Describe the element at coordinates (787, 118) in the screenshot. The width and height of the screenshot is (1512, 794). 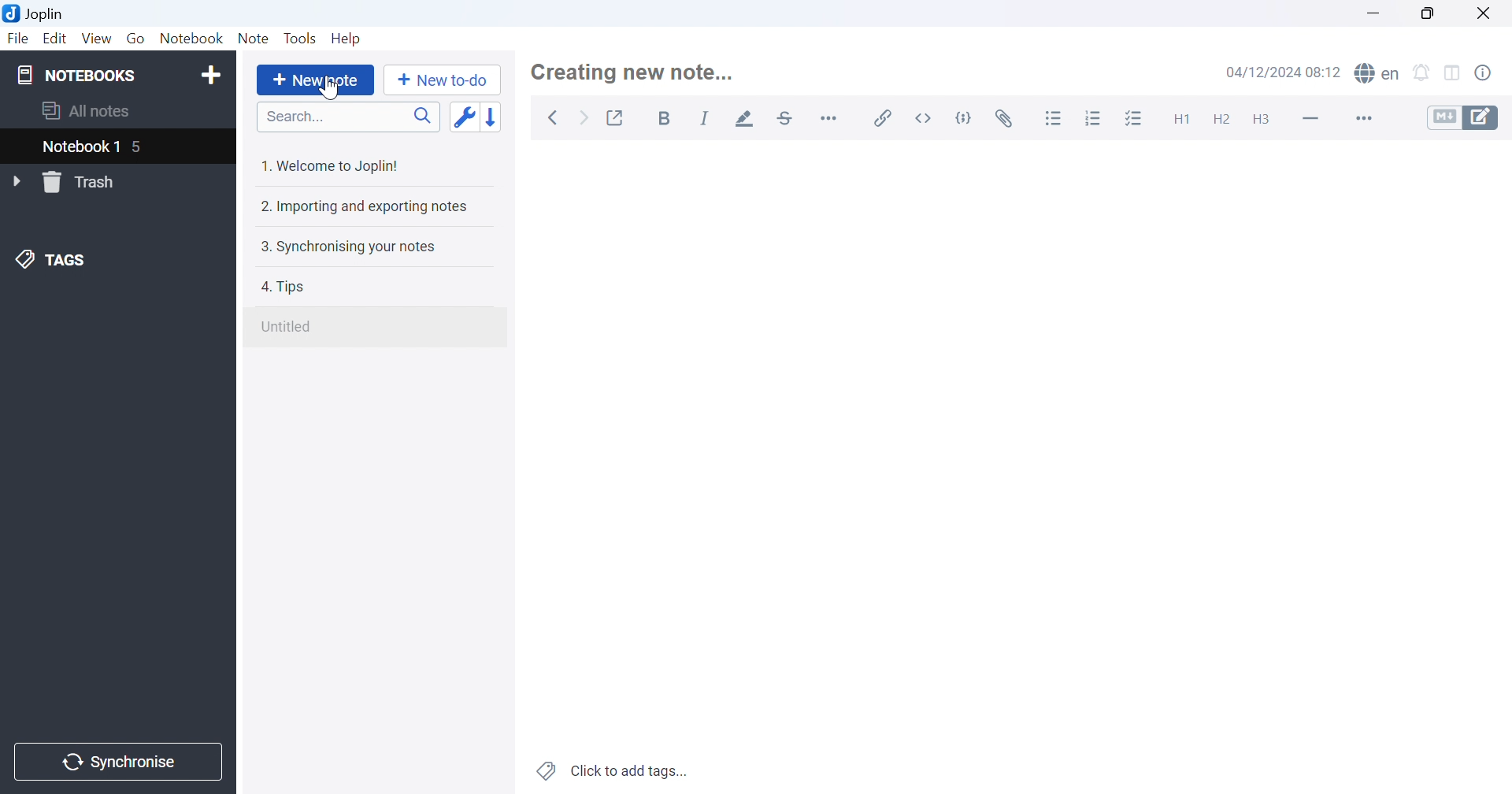
I see `Strikethrough` at that location.